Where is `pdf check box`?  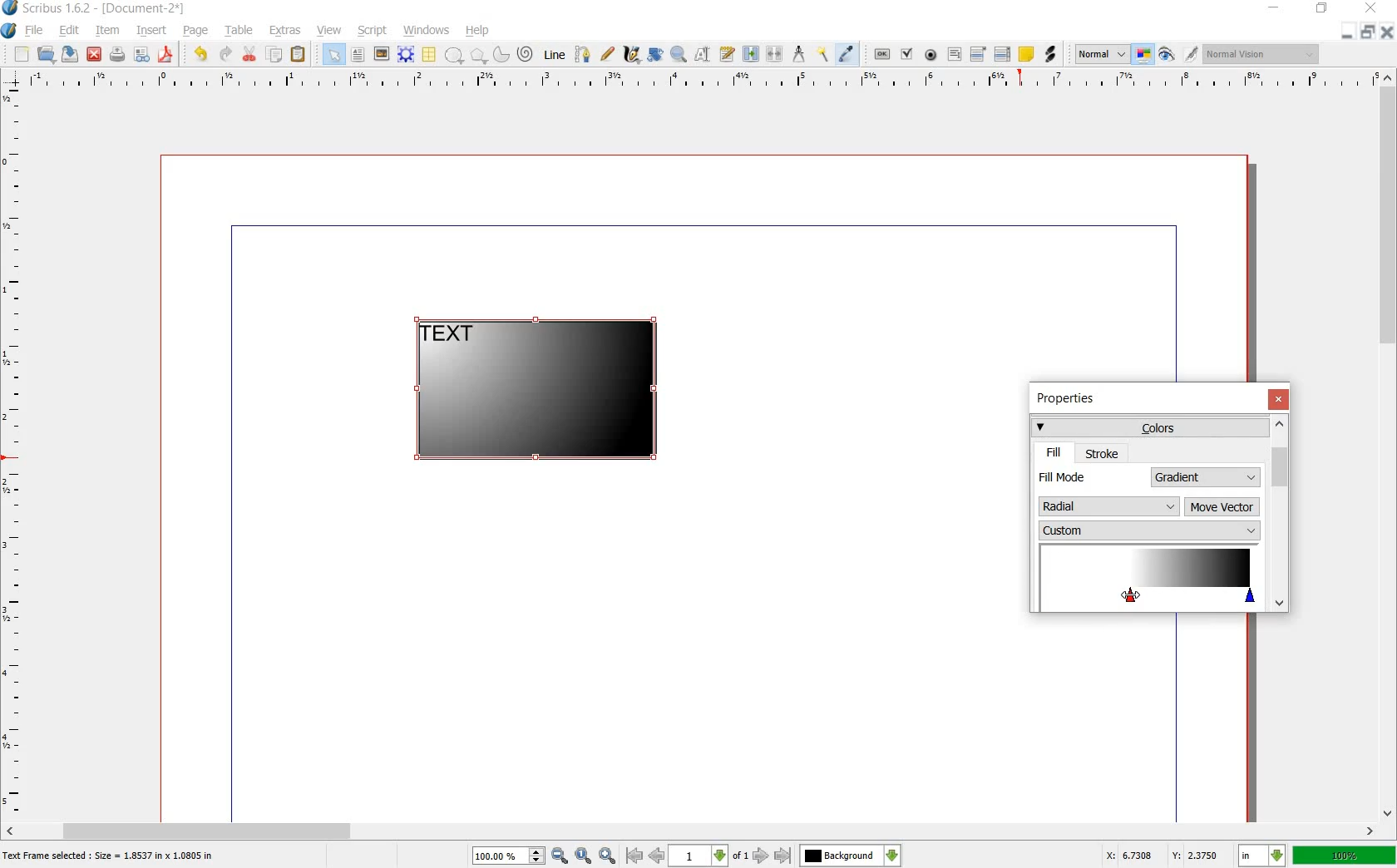
pdf check box is located at coordinates (906, 54).